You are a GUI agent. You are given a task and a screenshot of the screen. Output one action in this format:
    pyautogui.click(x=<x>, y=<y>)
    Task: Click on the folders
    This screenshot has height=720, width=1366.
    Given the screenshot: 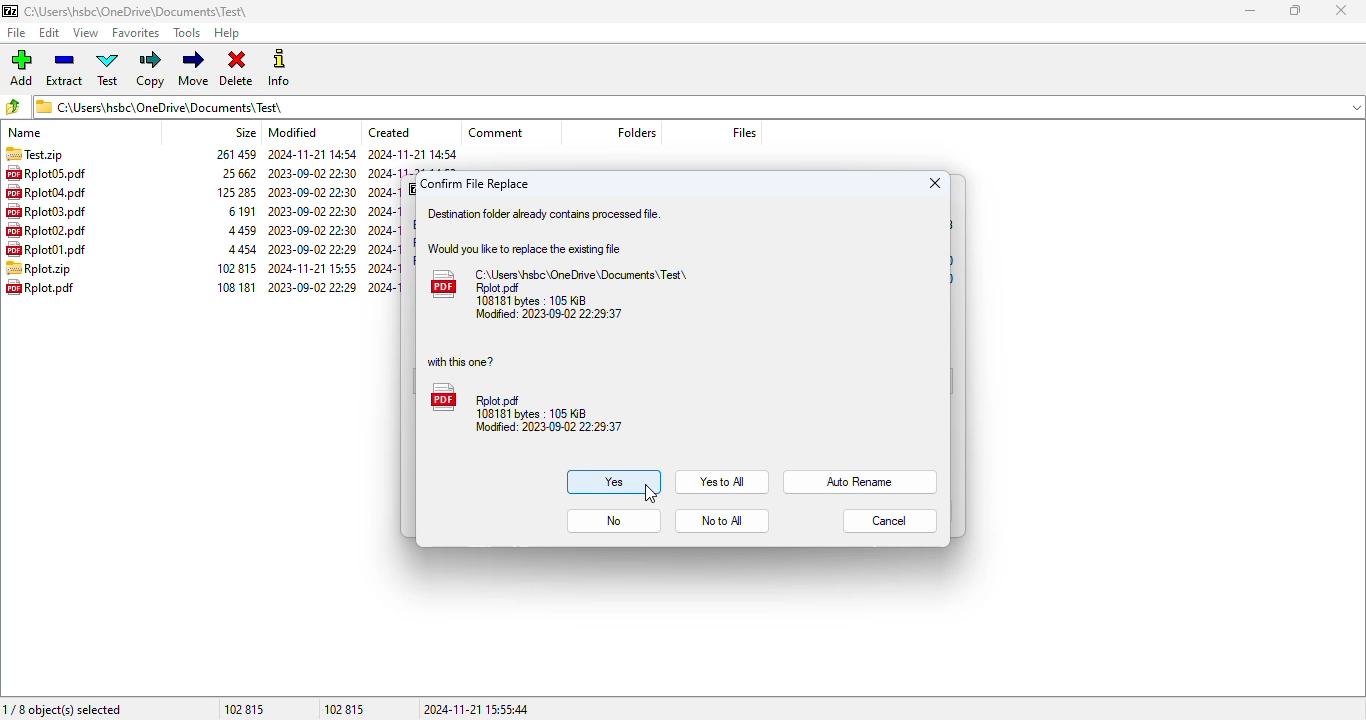 What is the action you would take?
    pyautogui.click(x=636, y=133)
    